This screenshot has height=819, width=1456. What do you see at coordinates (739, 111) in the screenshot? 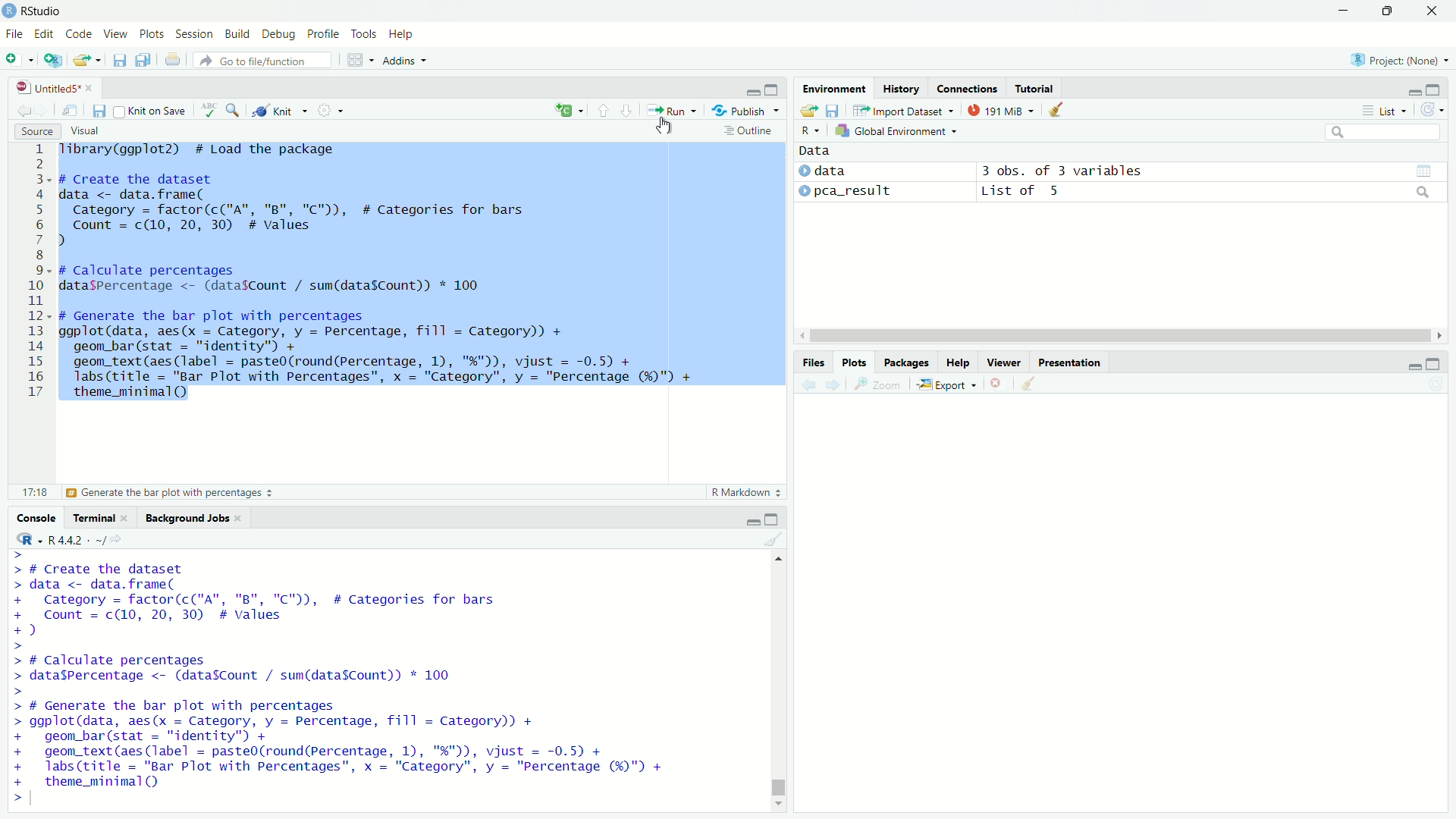
I see `publish` at bounding box center [739, 111].